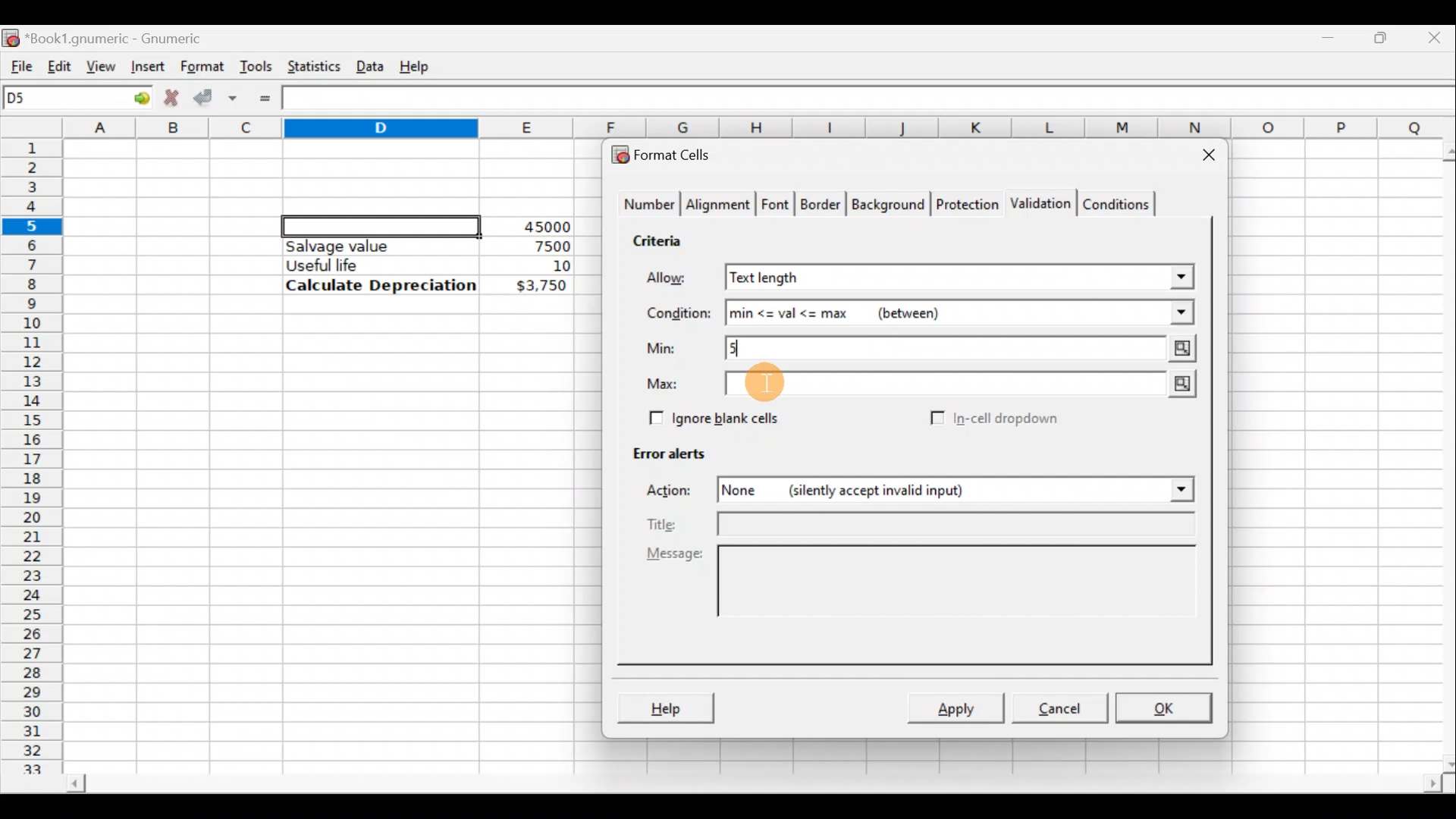 Image resolution: width=1456 pixels, height=819 pixels. I want to click on File, so click(17, 63).